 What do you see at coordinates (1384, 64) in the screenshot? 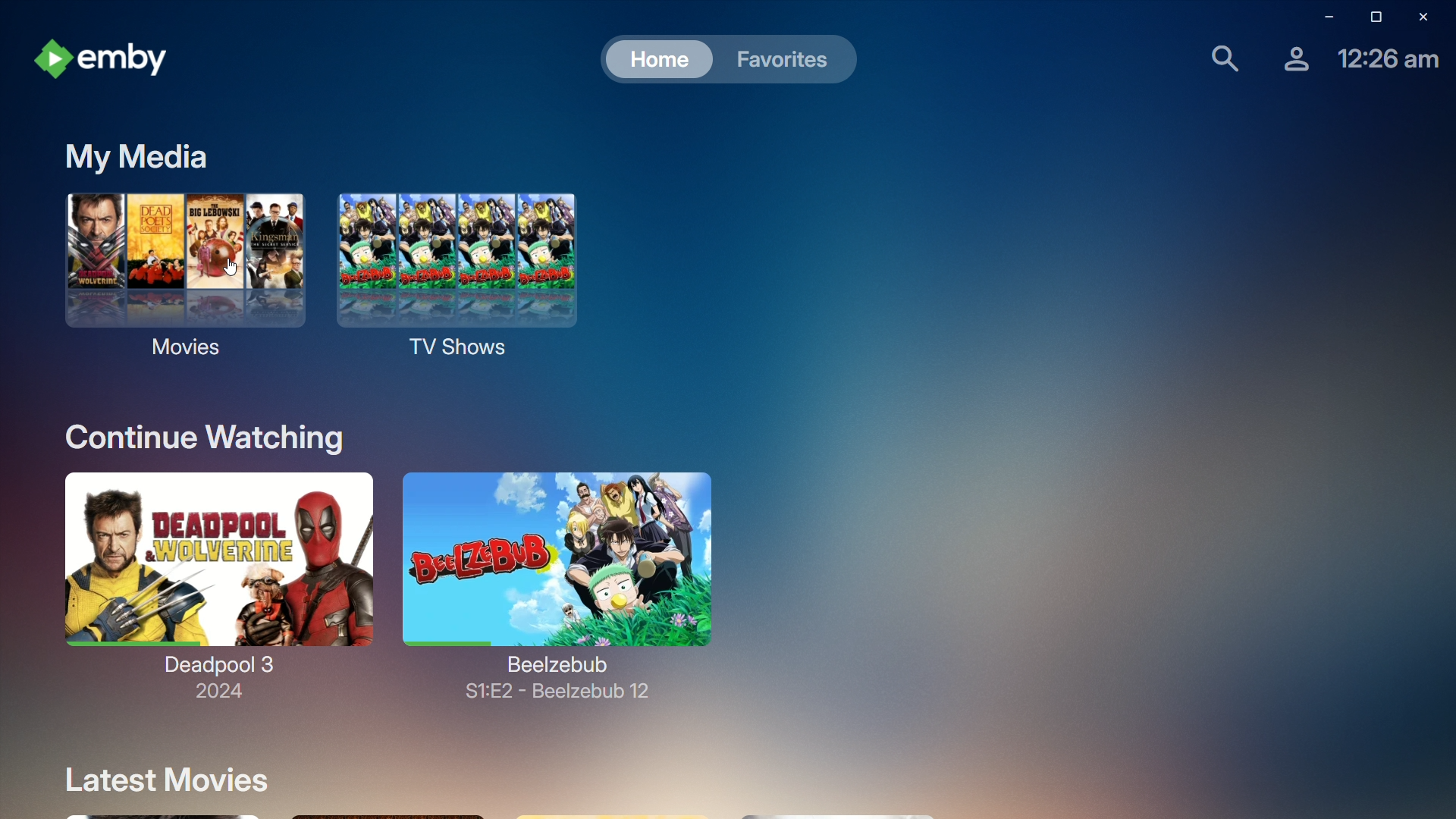
I see `Time` at bounding box center [1384, 64].